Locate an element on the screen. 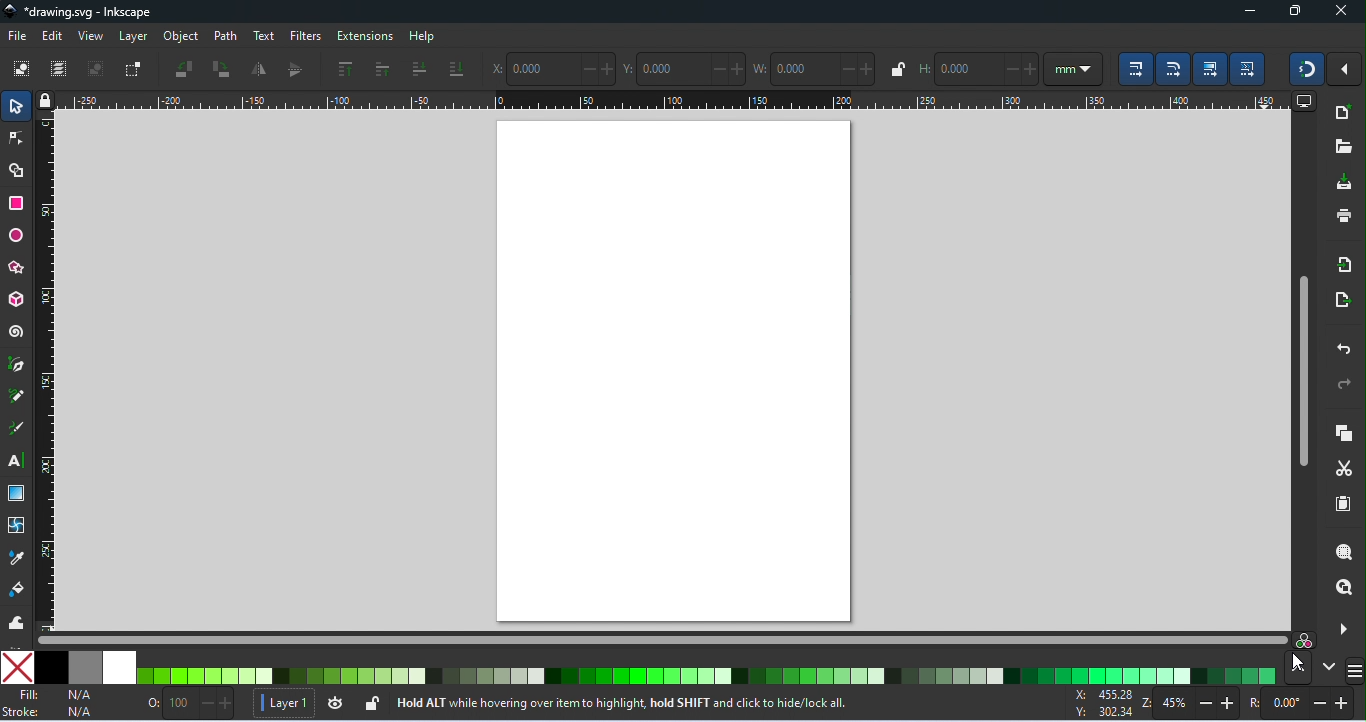 This screenshot has height=722, width=1366. stroke is located at coordinates (52, 713).